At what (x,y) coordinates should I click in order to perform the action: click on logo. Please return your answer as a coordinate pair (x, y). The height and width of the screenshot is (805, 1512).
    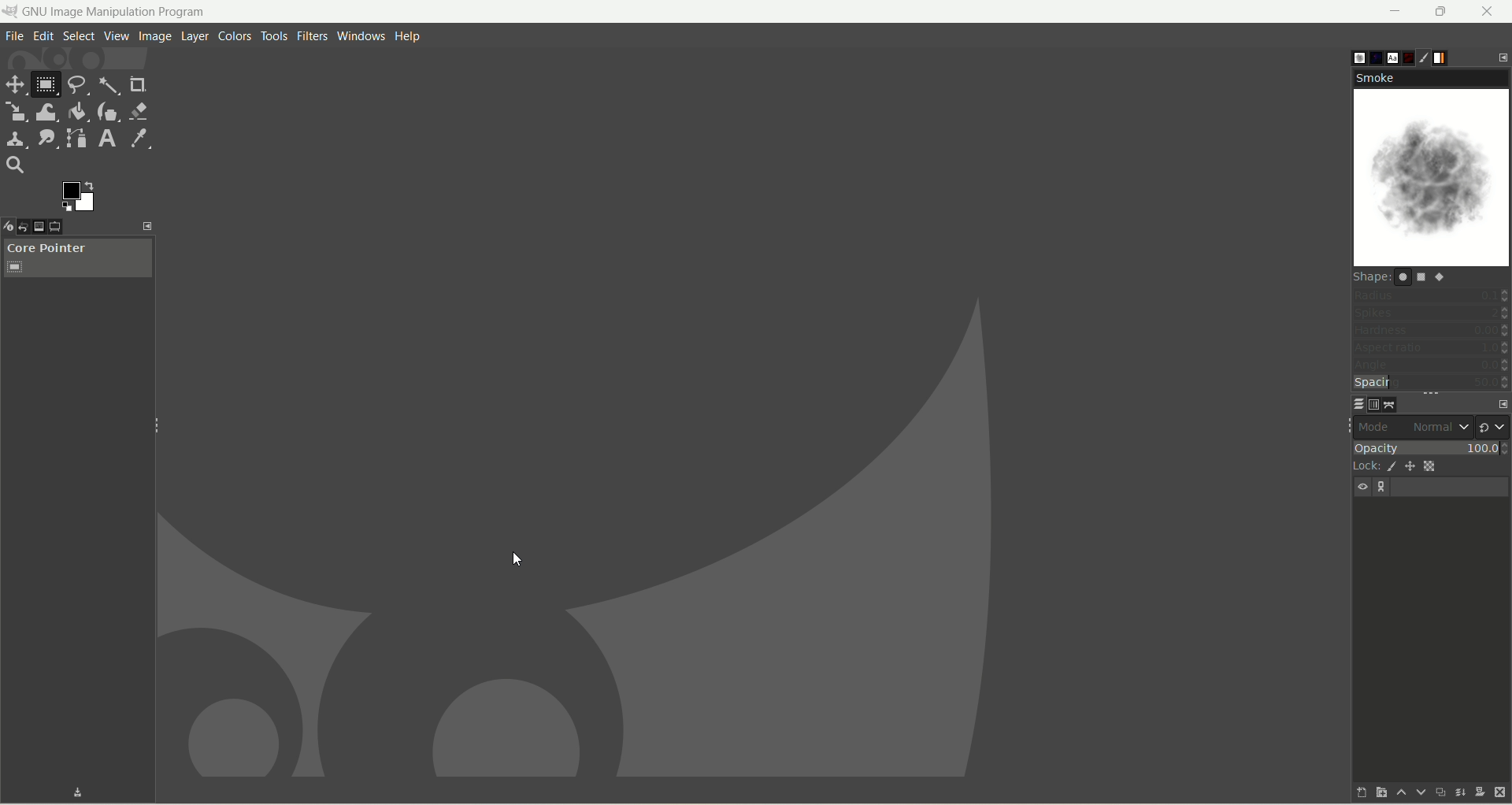
    Looking at the image, I should click on (12, 12).